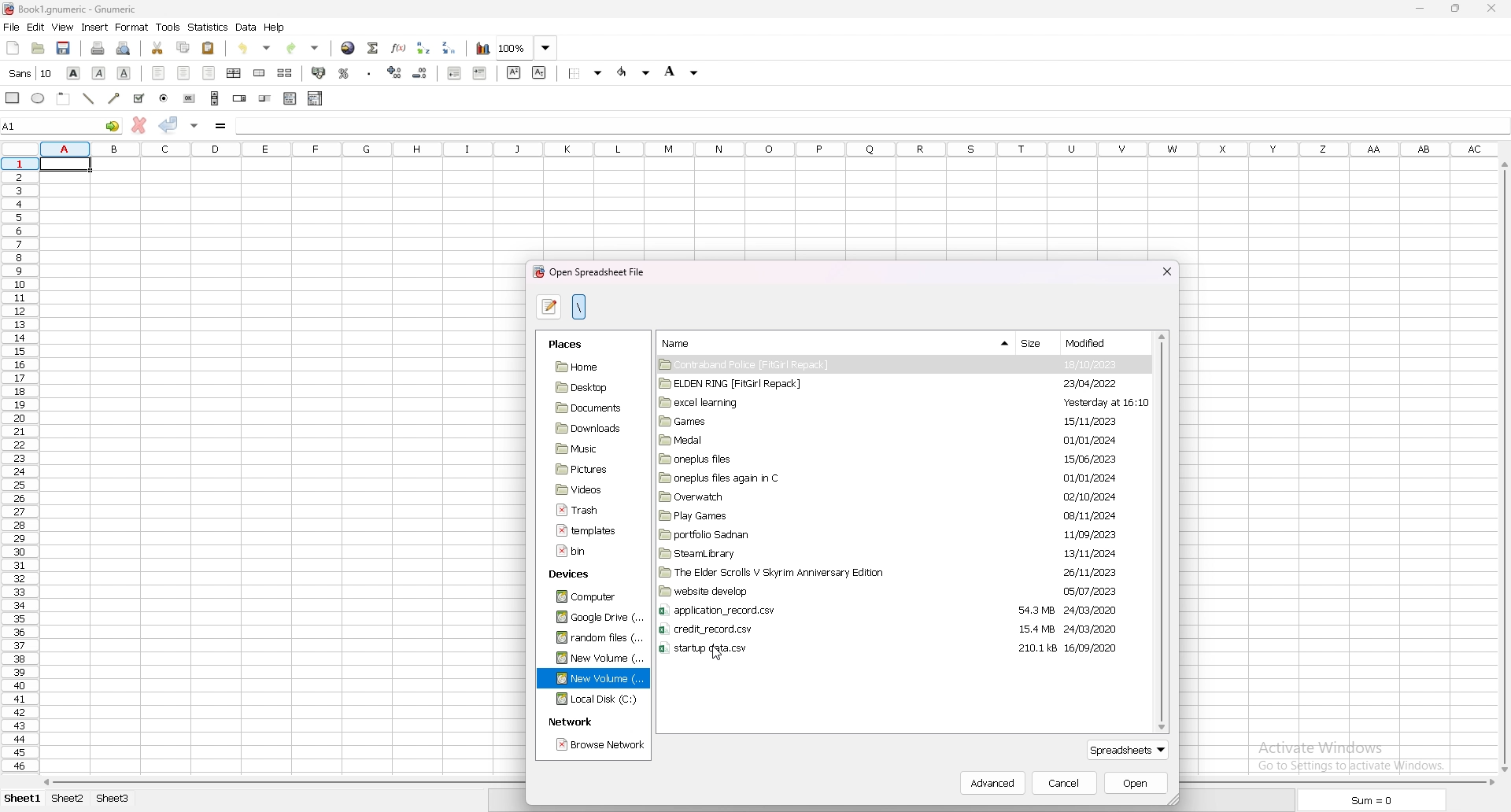 Image resolution: width=1511 pixels, height=812 pixels. Describe the element at coordinates (595, 618) in the screenshot. I see `folder` at that location.